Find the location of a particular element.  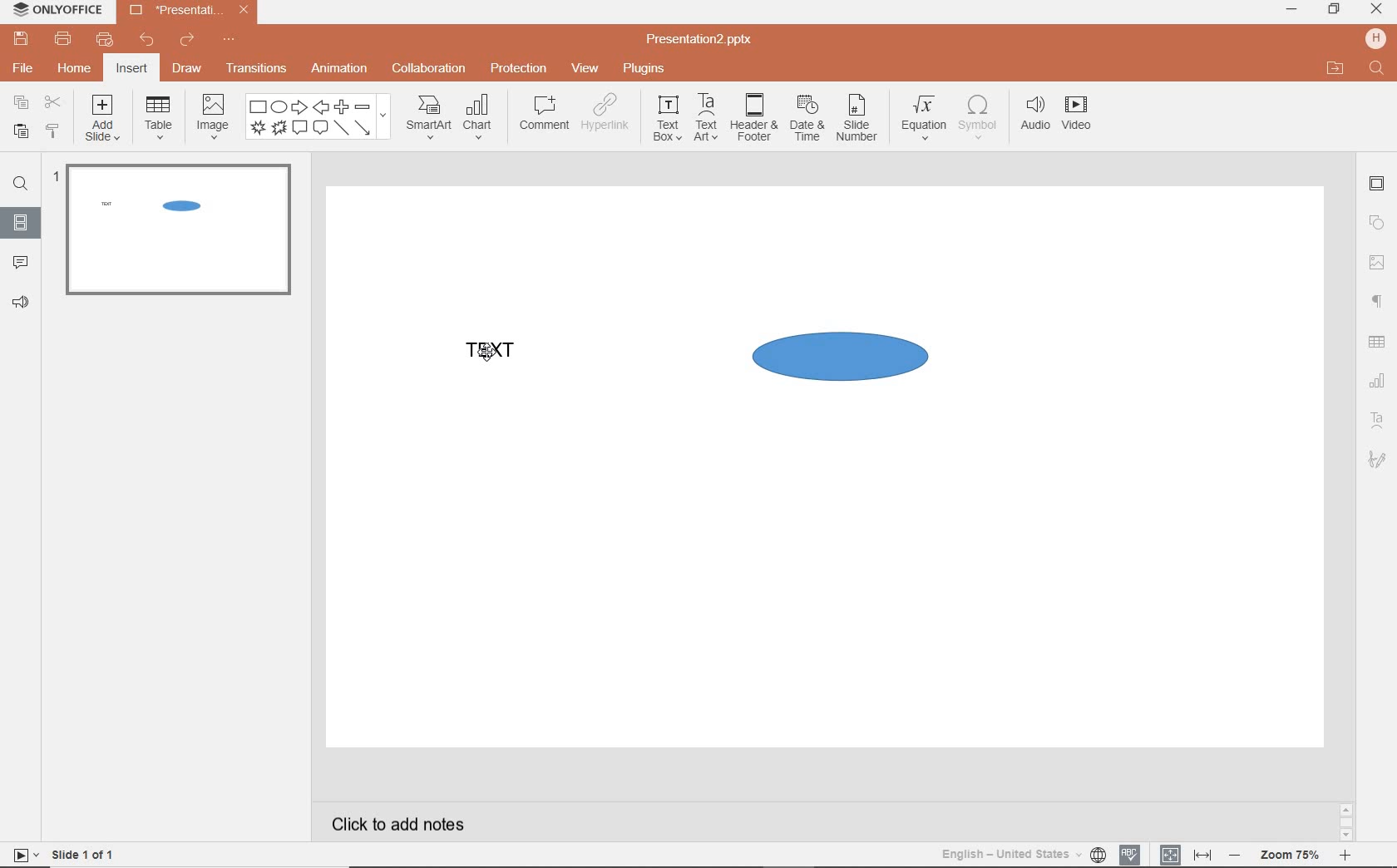

TEXT FIELD is located at coordinates (497, 367).